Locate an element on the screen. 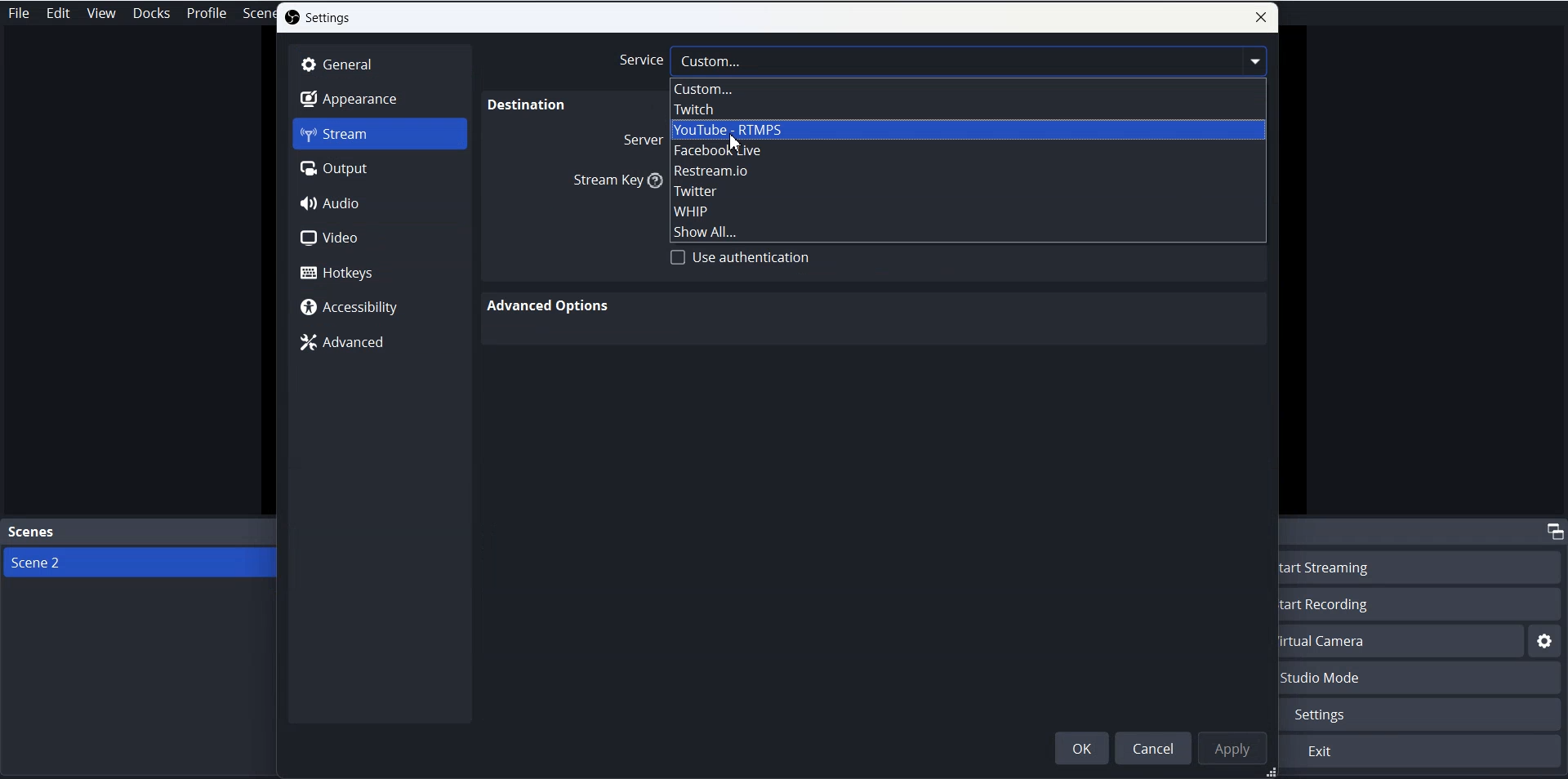  Destination is located at coordinates (523, 106).